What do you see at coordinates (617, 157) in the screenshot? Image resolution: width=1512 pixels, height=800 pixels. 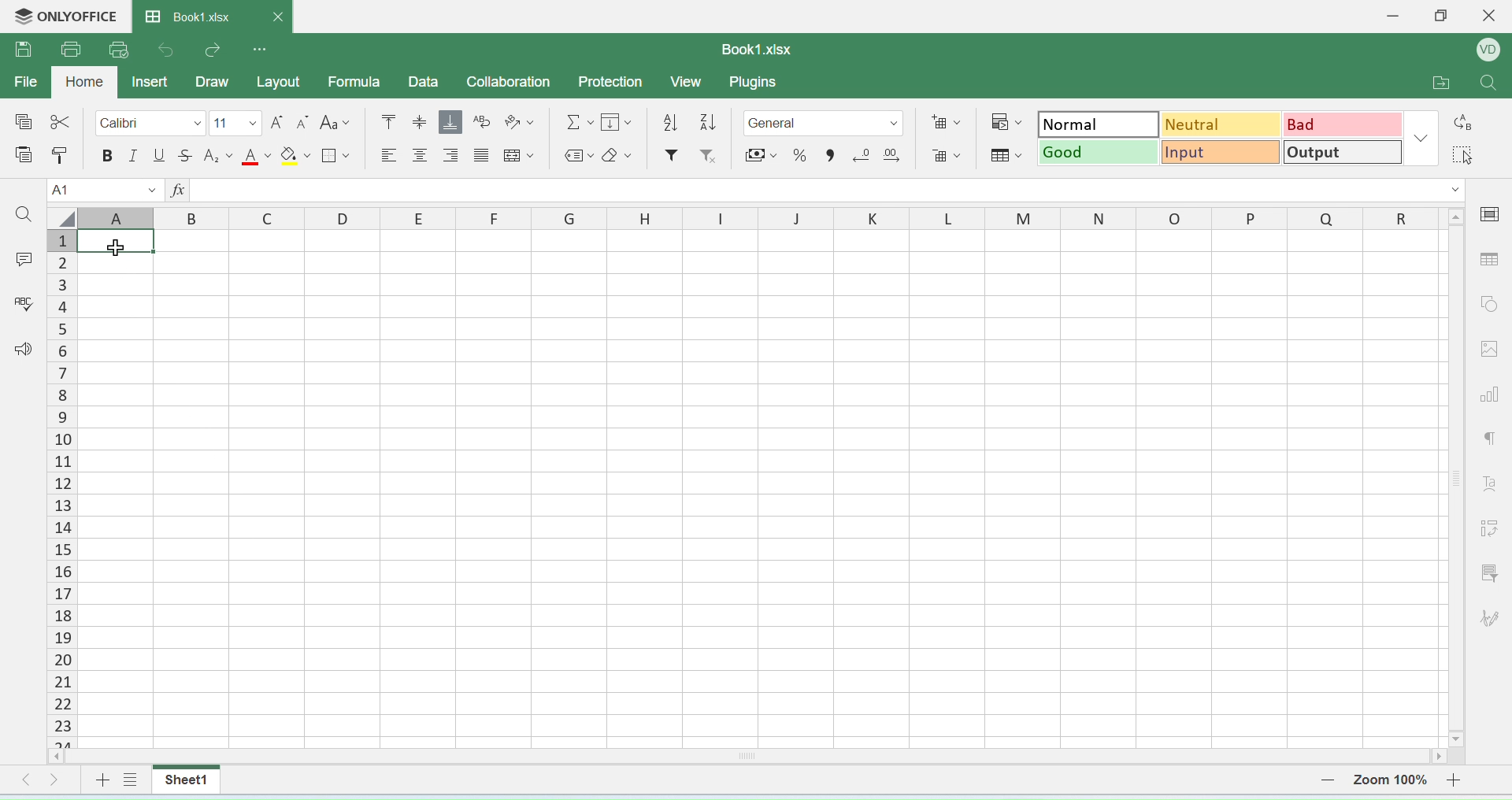 I see `erase` at bounding box center [617, 157].